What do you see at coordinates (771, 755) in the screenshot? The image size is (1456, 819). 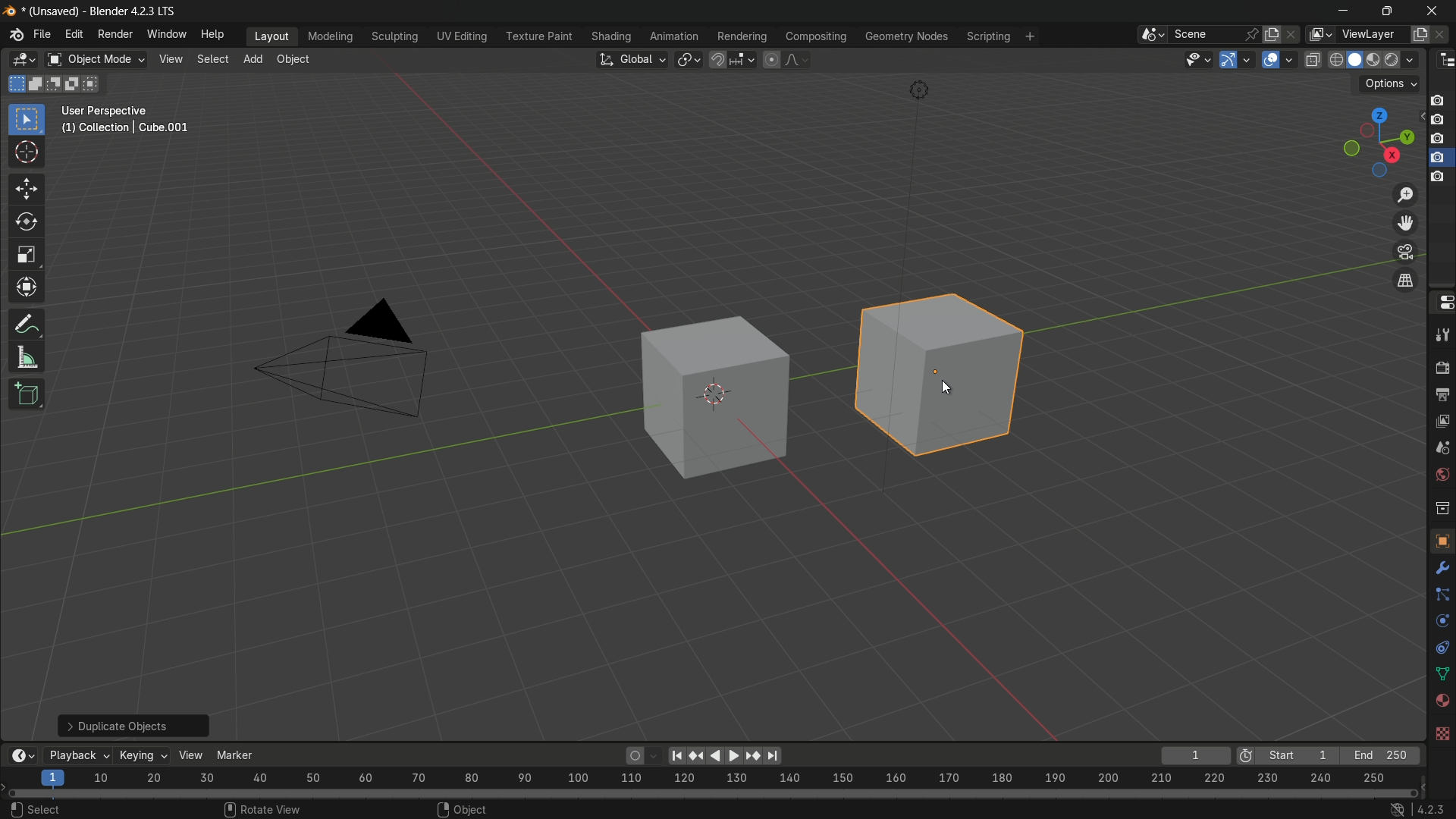 I see `jump to endpoint` at bounding box center [771, 755].